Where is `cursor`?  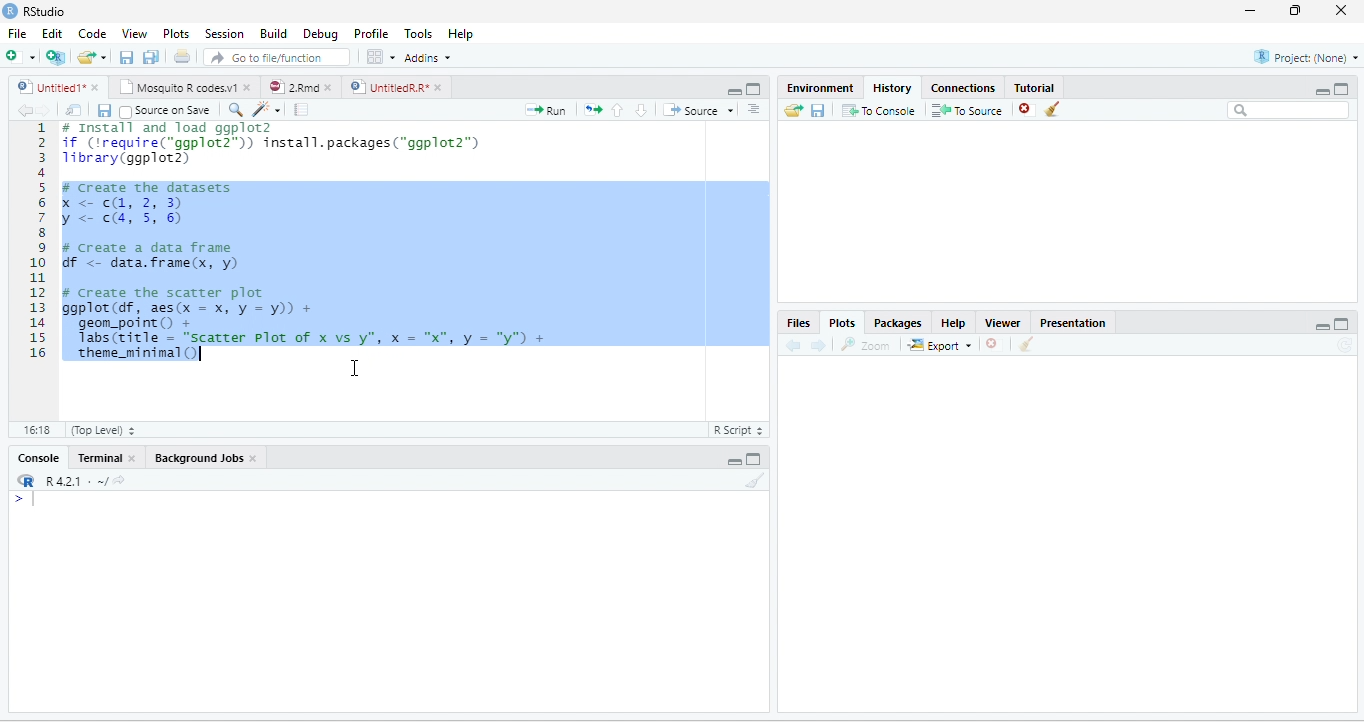
cursor is located at coordinates (354, 366).